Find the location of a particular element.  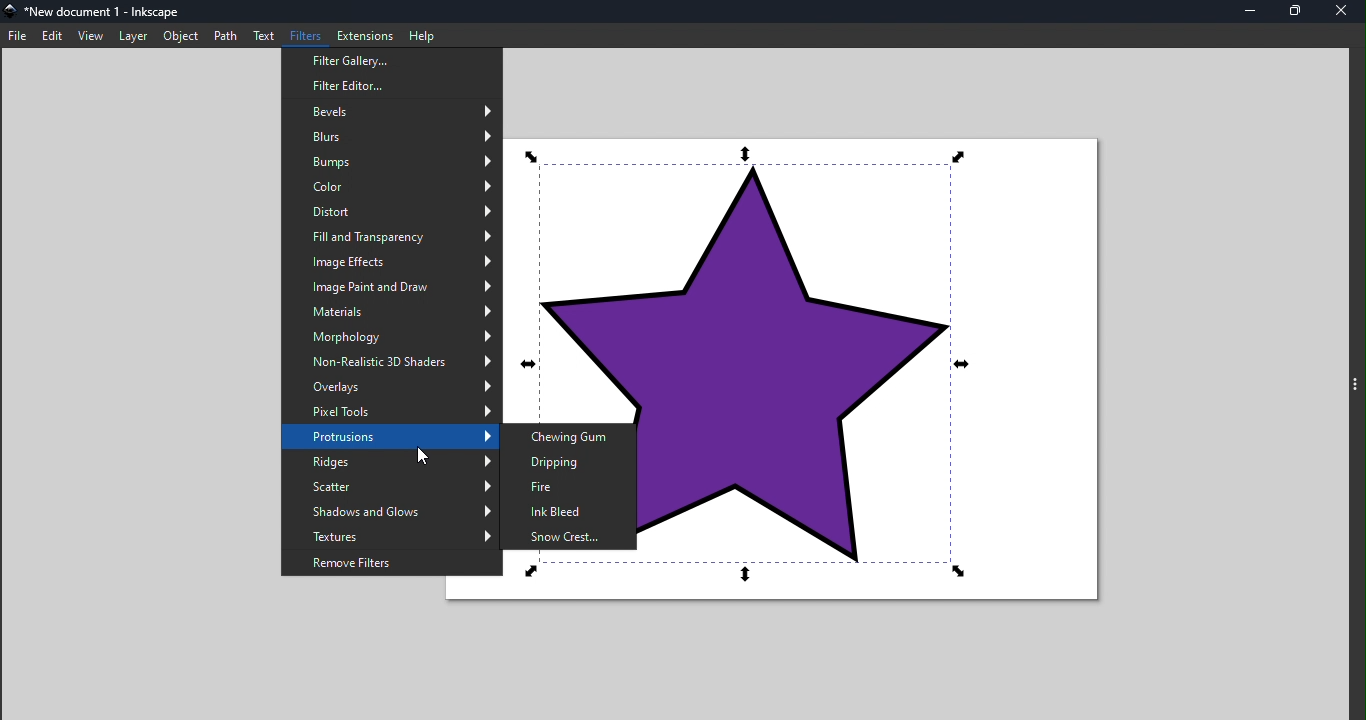

Morphology is located at coordinates (393, 339).